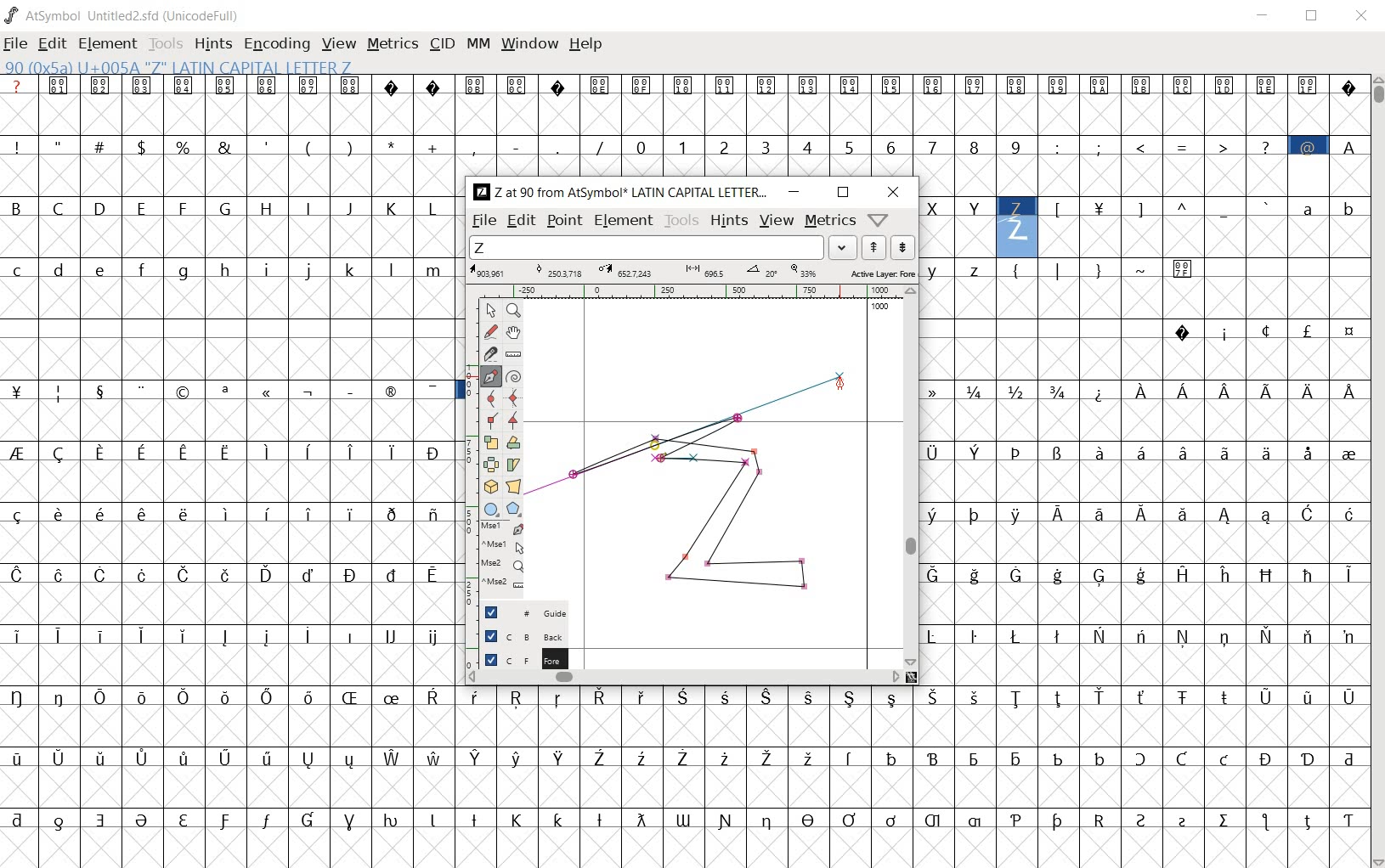 The height and width of the screenshot is (868, 1385). I want to click on scrollbar, so click(909, 476).